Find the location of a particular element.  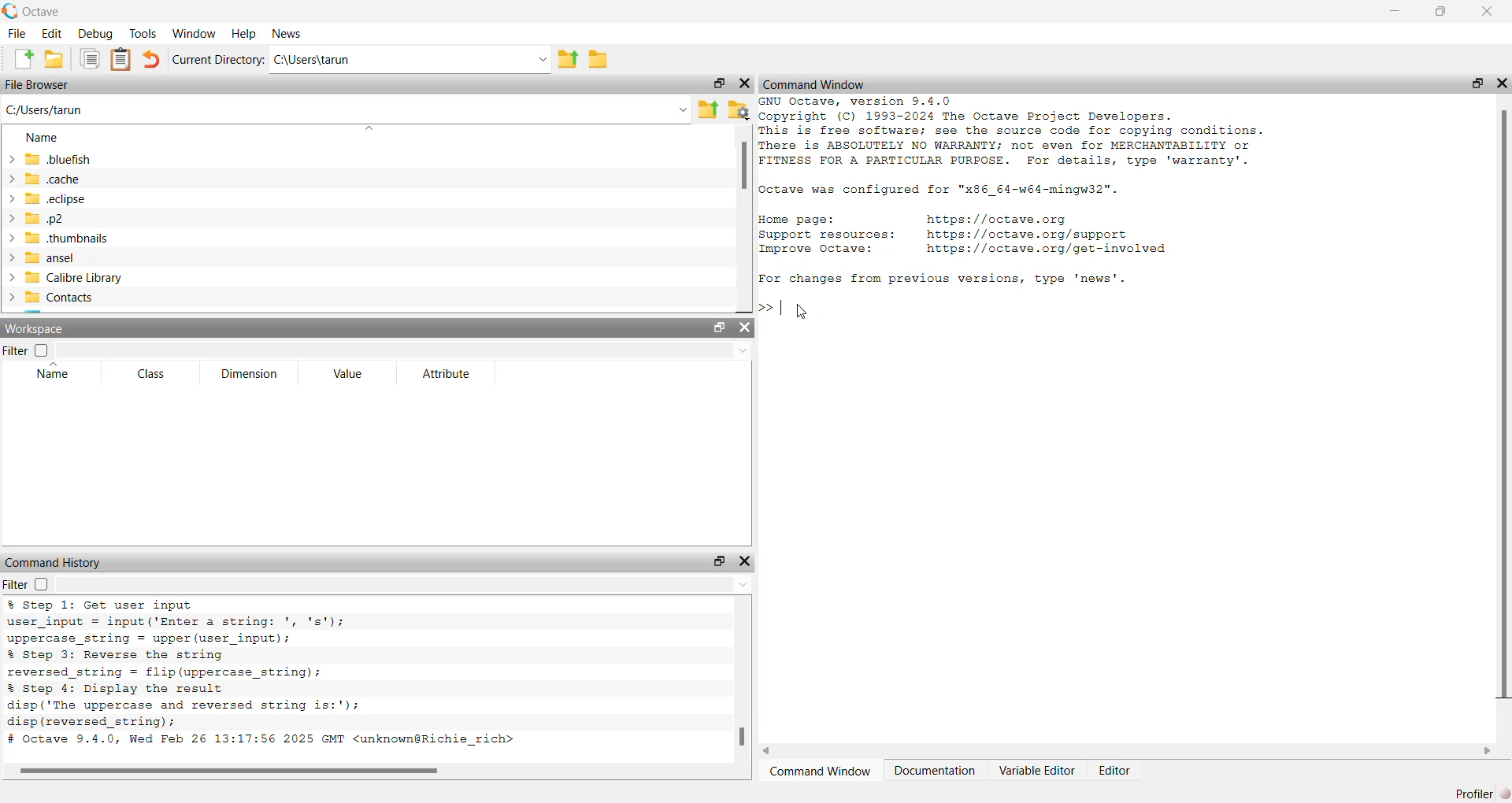

name is located at coordinates (37, 375).